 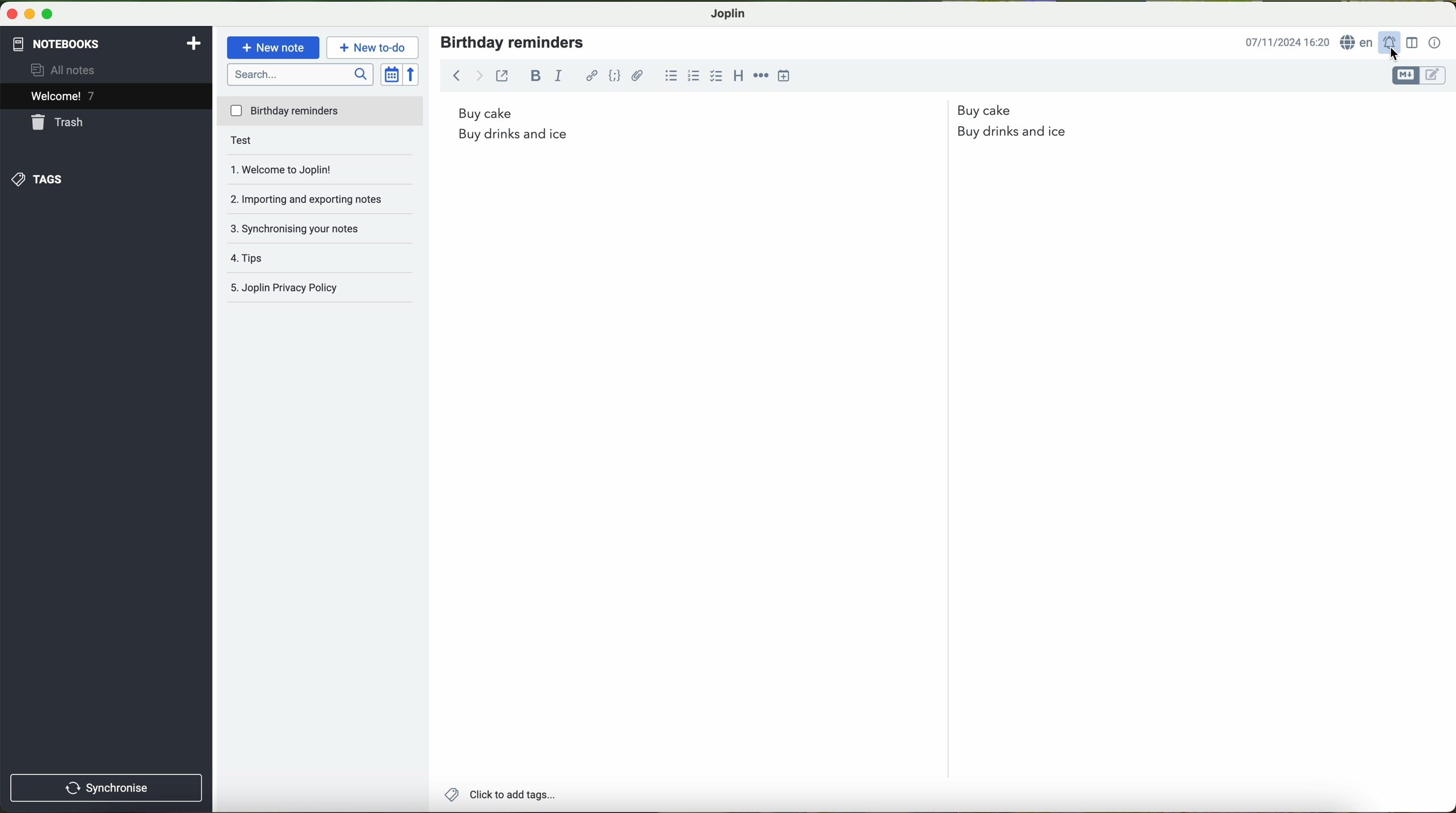 What do you see at coordinates (1392, 57) in the screenshot?
I see `cursor` at bounding box center [1392, 57].